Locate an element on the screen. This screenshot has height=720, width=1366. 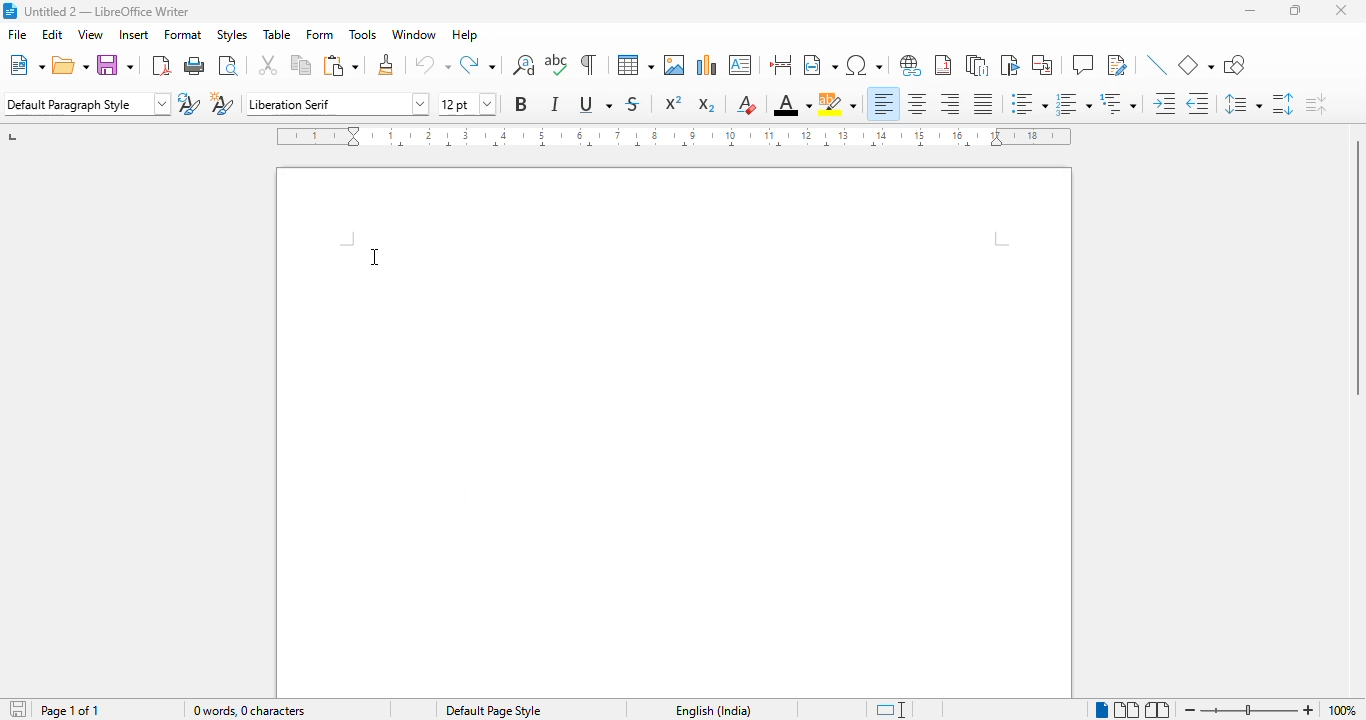
logo is located at coordinates (10, 11).